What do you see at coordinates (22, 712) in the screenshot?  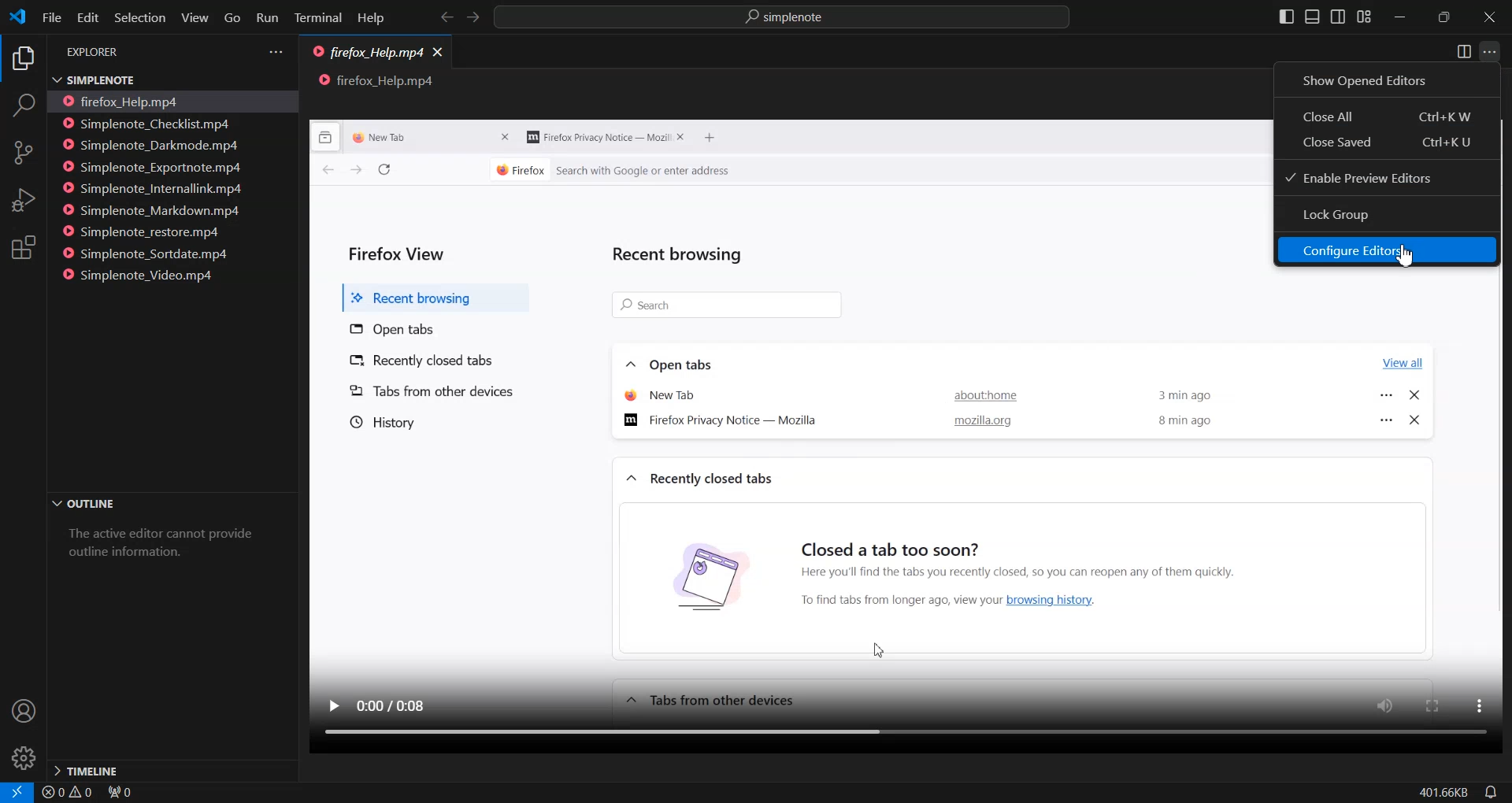 I see `Account` at bounding box center [22, 712].